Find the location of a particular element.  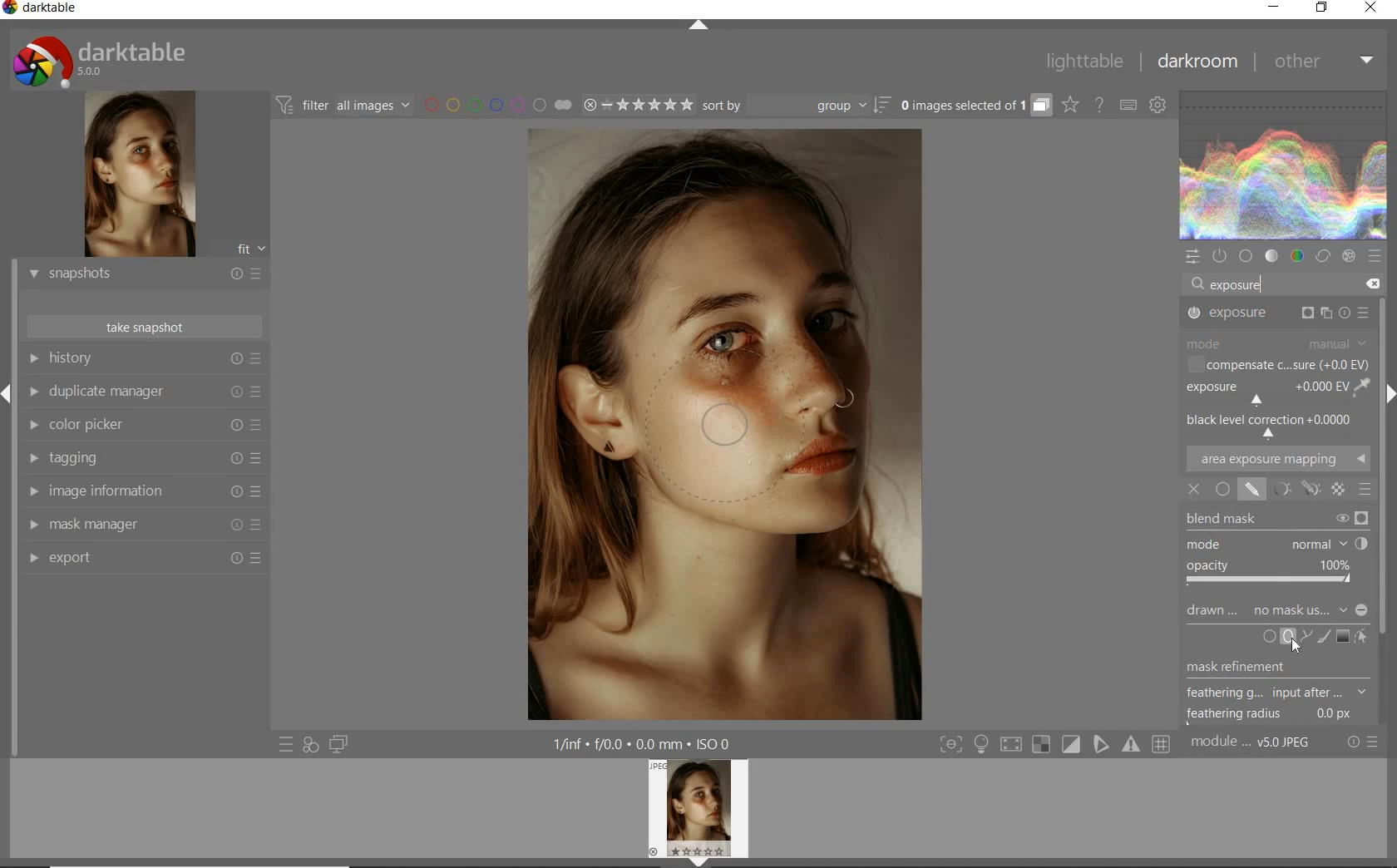

display a second darkroom image below is located at coordinates (335, 742).